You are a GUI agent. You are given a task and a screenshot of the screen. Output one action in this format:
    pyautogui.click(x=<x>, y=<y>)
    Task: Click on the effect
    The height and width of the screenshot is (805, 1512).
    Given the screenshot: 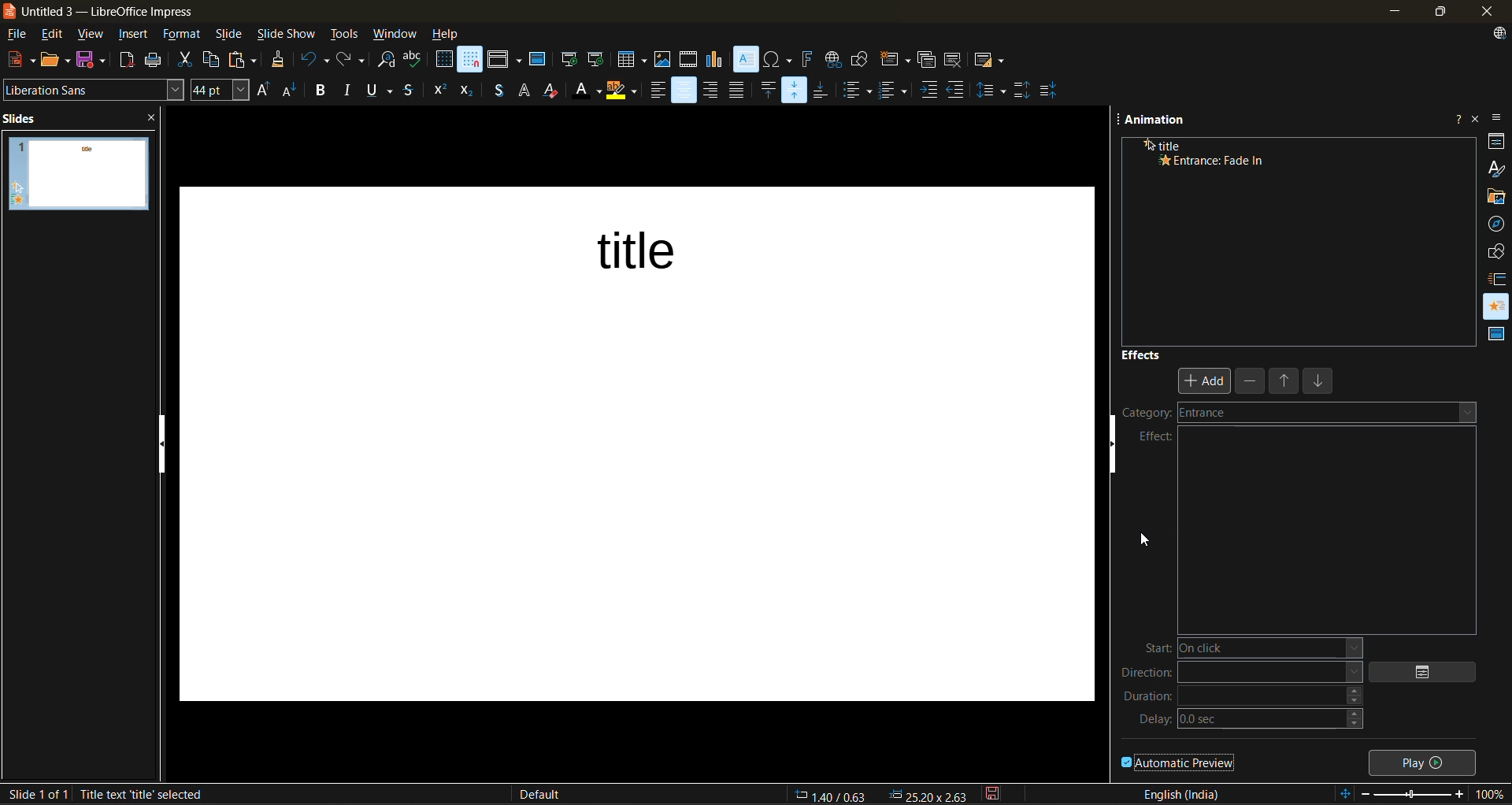 What is the action you would take?
    pyautogui.click(x=1156, y=437)
    